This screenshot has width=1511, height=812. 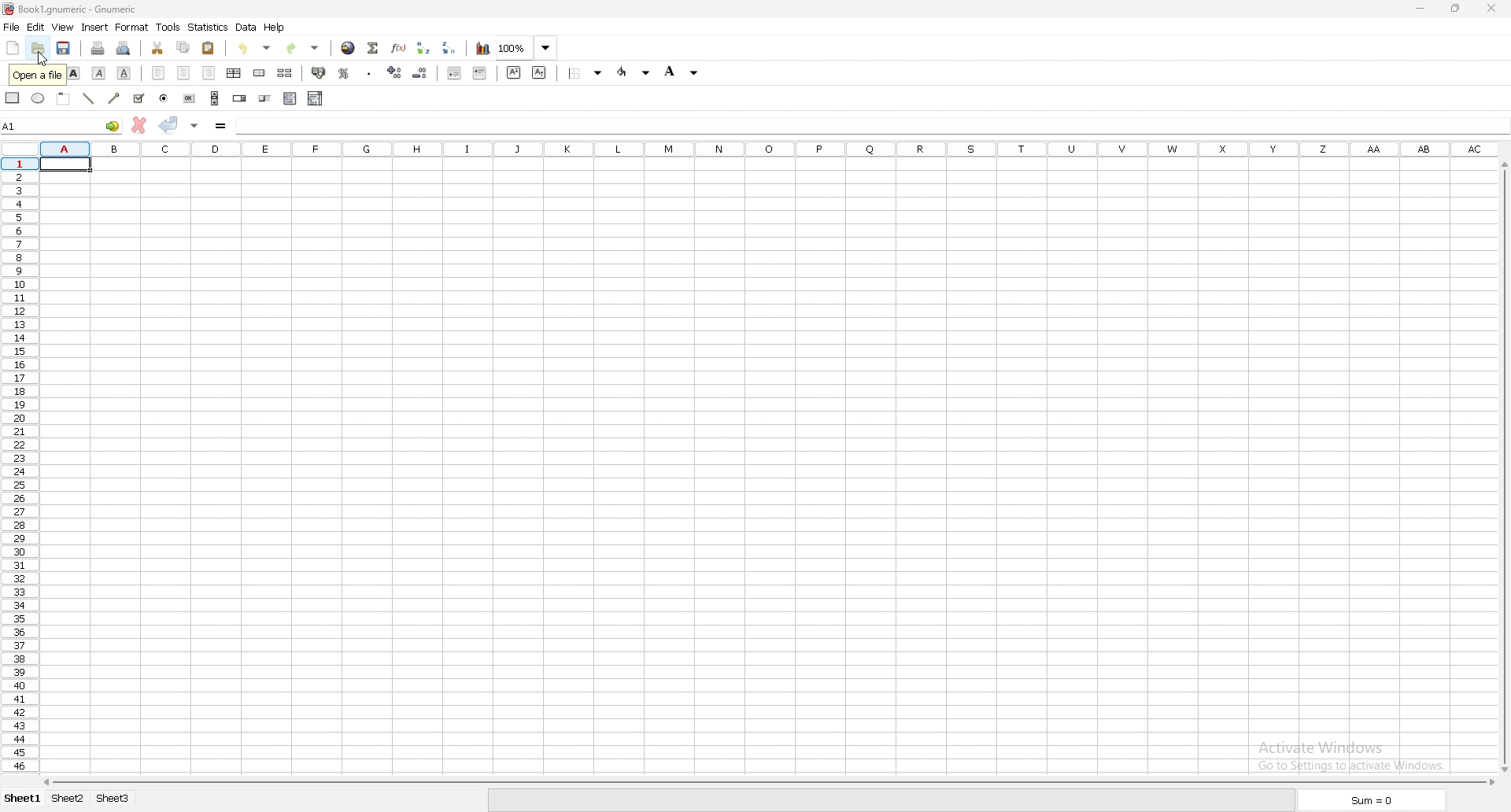 What do you see at coordinates (61, 27) in the screenshot?
I see `view` at bounding box center [61, 27].